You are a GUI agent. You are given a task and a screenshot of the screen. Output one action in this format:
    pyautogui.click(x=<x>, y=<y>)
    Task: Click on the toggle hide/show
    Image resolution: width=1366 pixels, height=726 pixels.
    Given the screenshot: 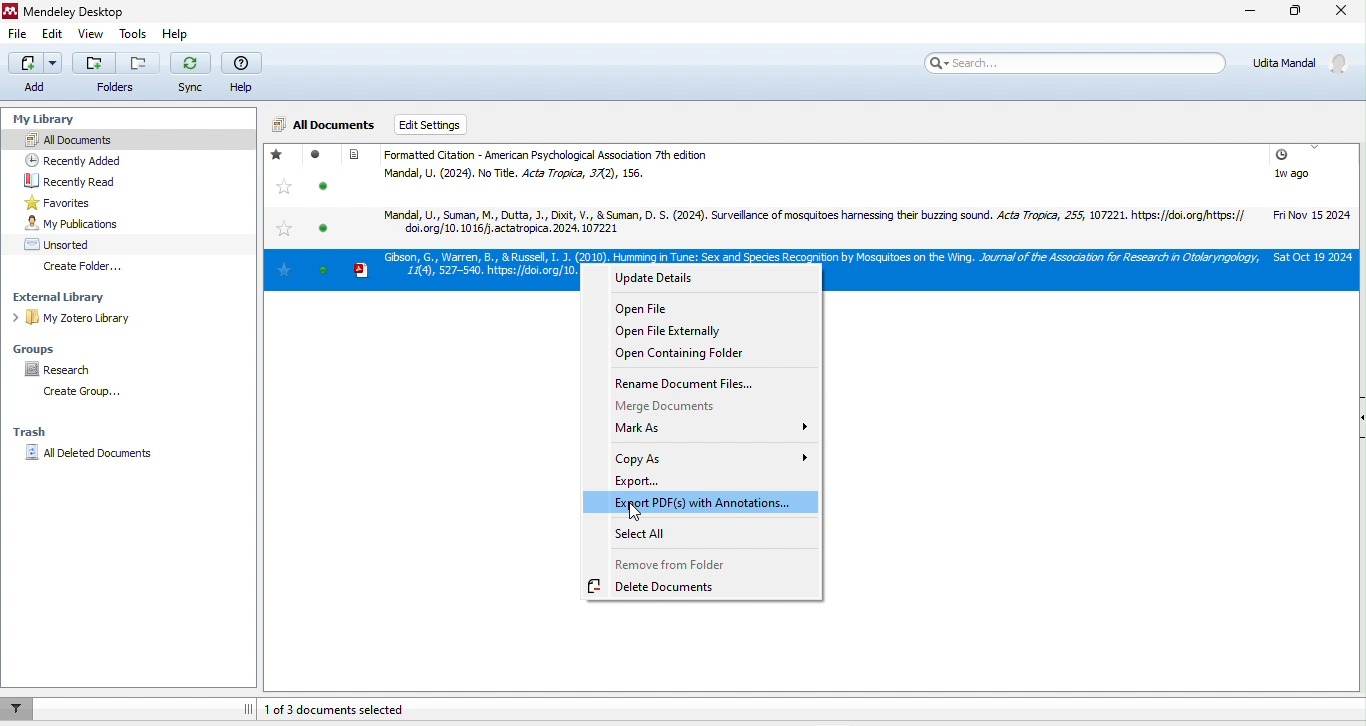 What is the action you would take?
    pyautogui.click(x=247, y=705)
    